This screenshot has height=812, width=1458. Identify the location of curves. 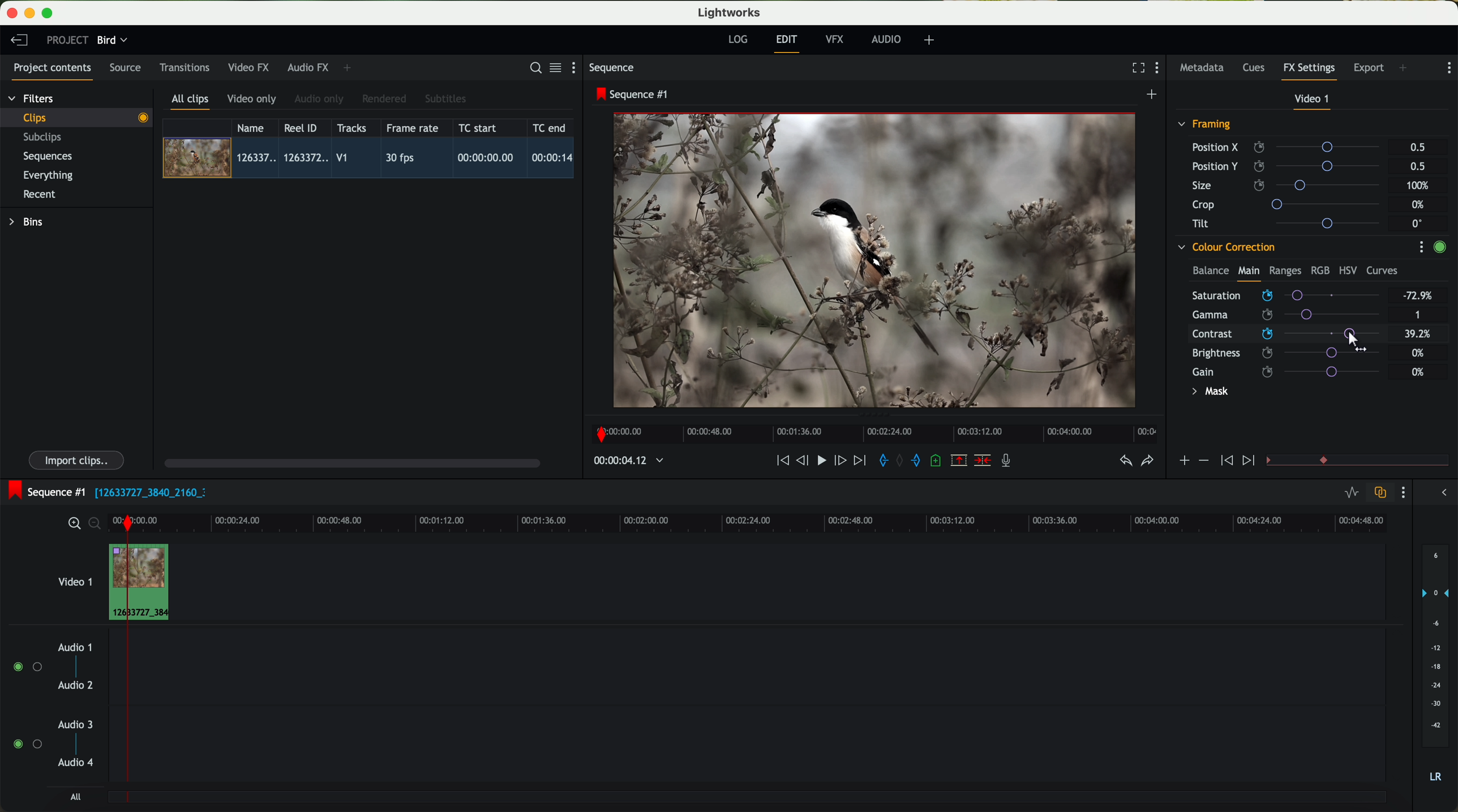
(1382, 271).